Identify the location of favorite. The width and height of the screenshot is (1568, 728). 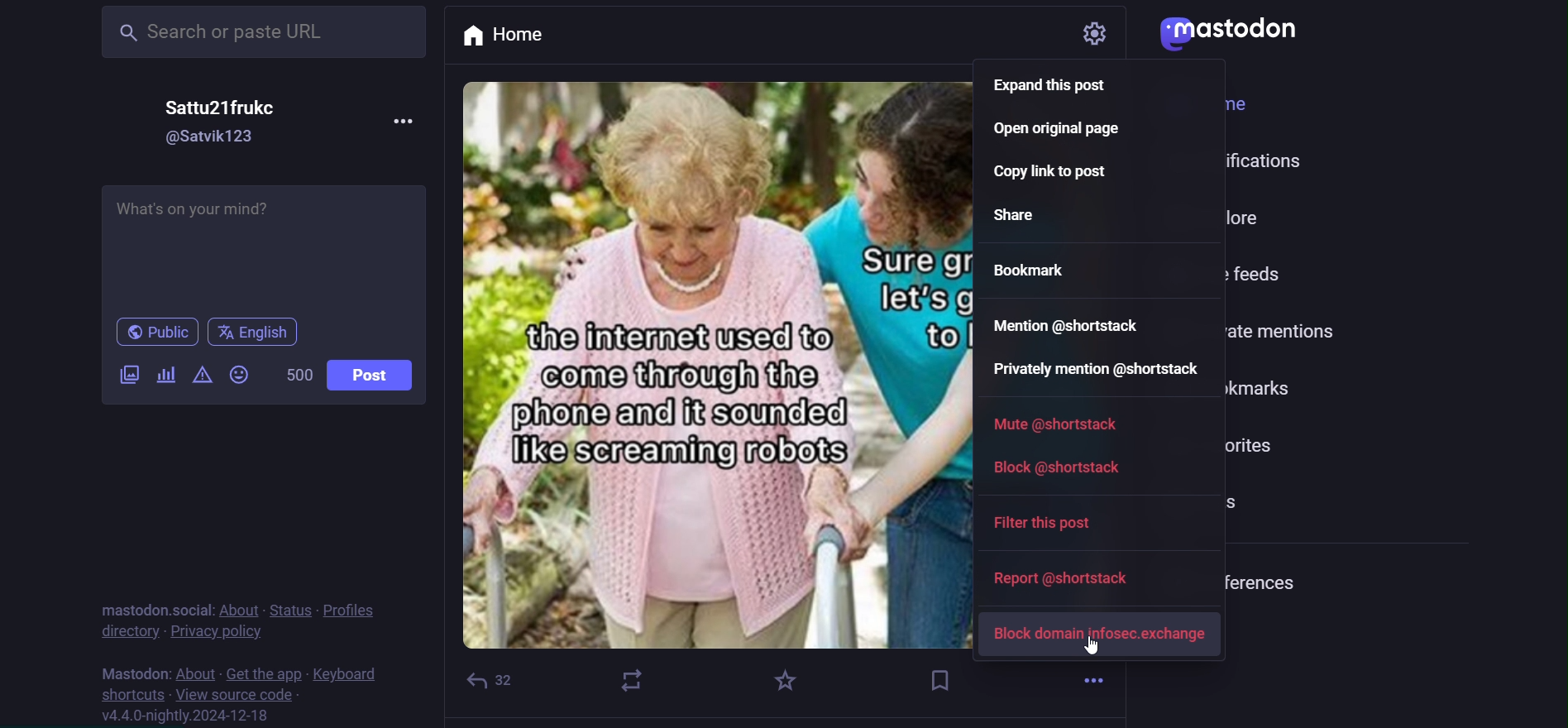
(781, 684).